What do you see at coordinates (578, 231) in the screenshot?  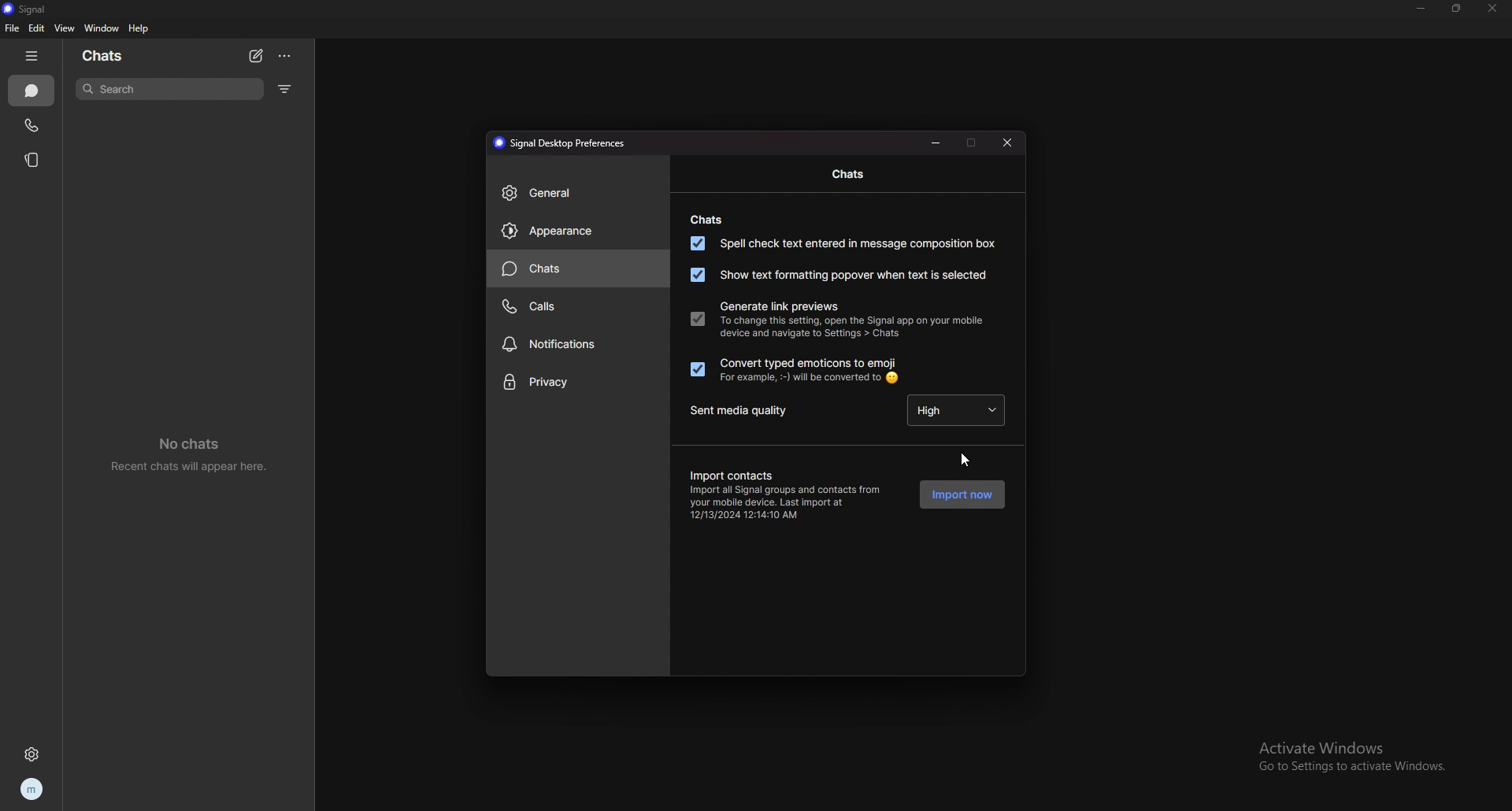 I see `appearance` at bounding box center [578, 231].